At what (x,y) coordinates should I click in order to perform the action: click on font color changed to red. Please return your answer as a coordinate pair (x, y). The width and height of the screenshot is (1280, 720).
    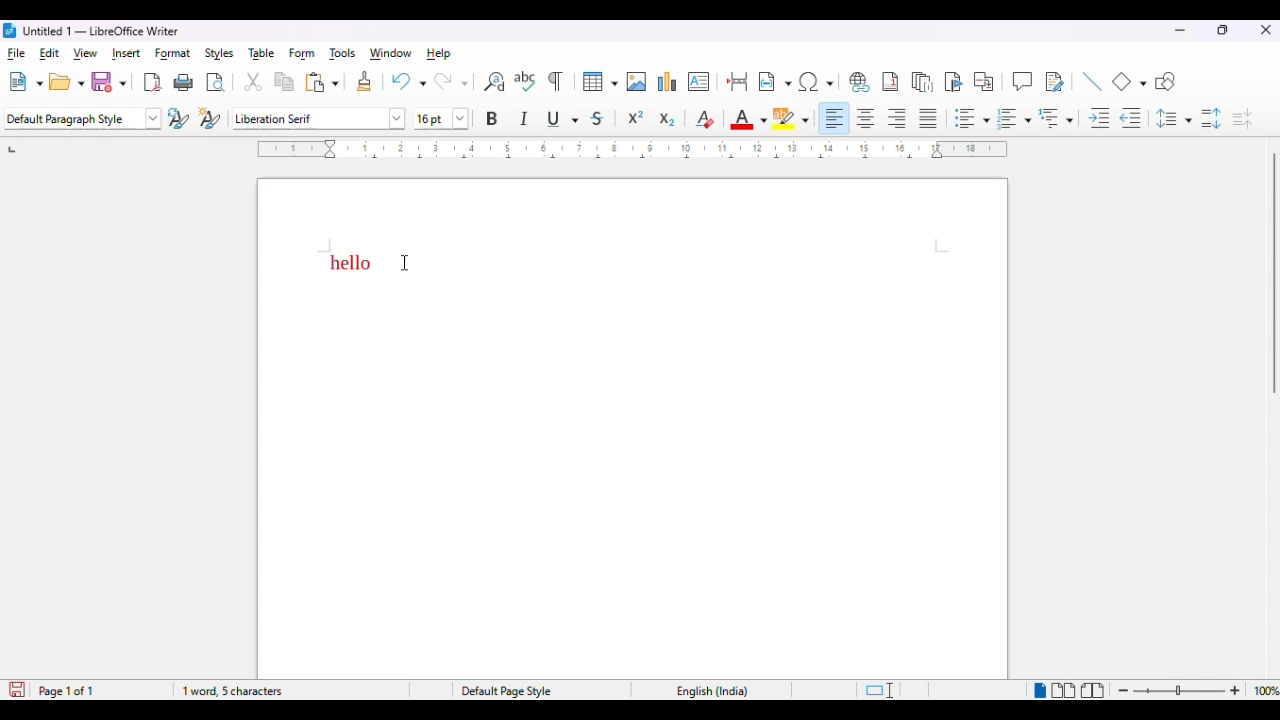
    Looking at the image, I should click on (353, 263).